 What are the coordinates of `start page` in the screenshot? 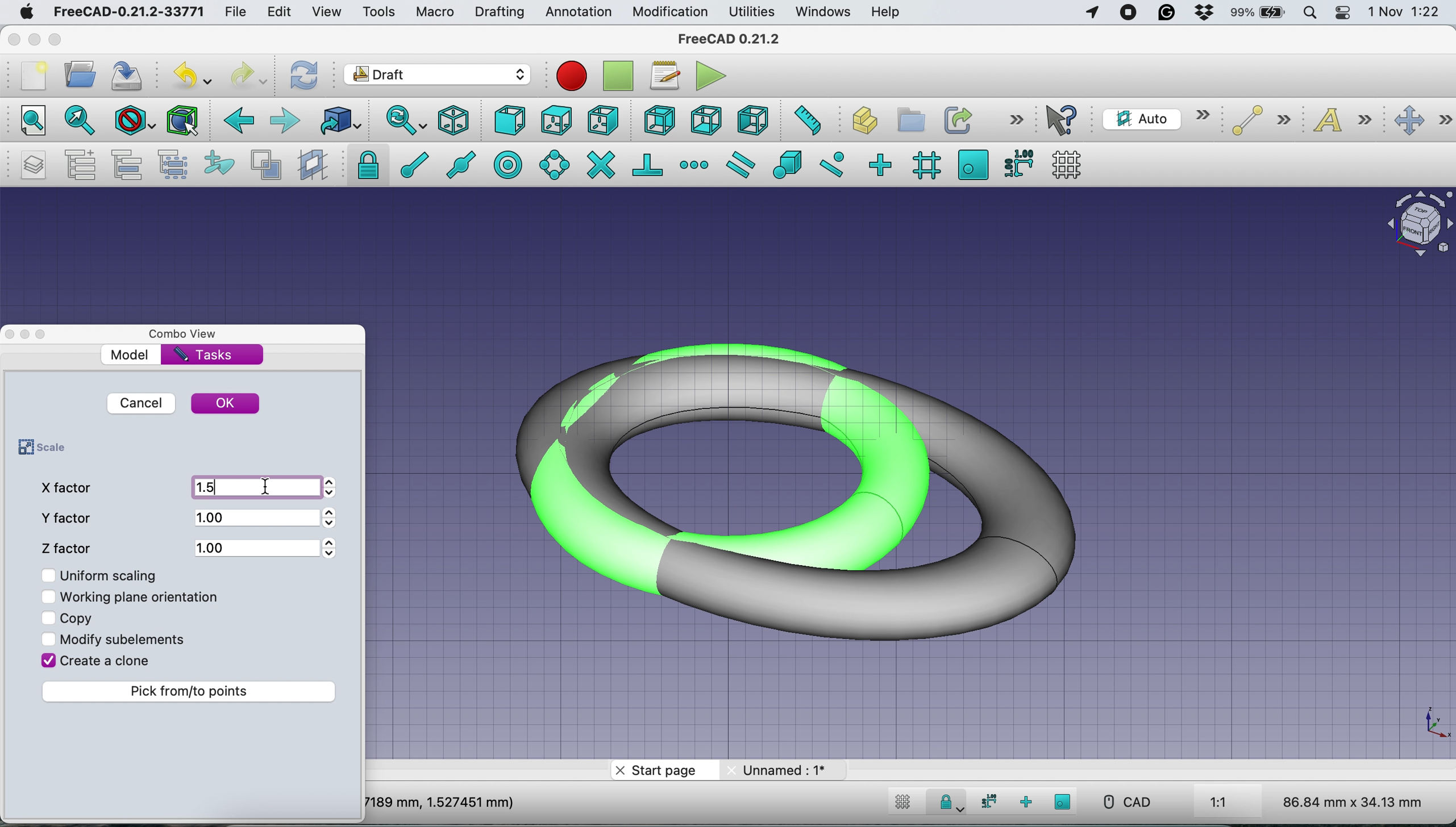 It's located at (662, 771).